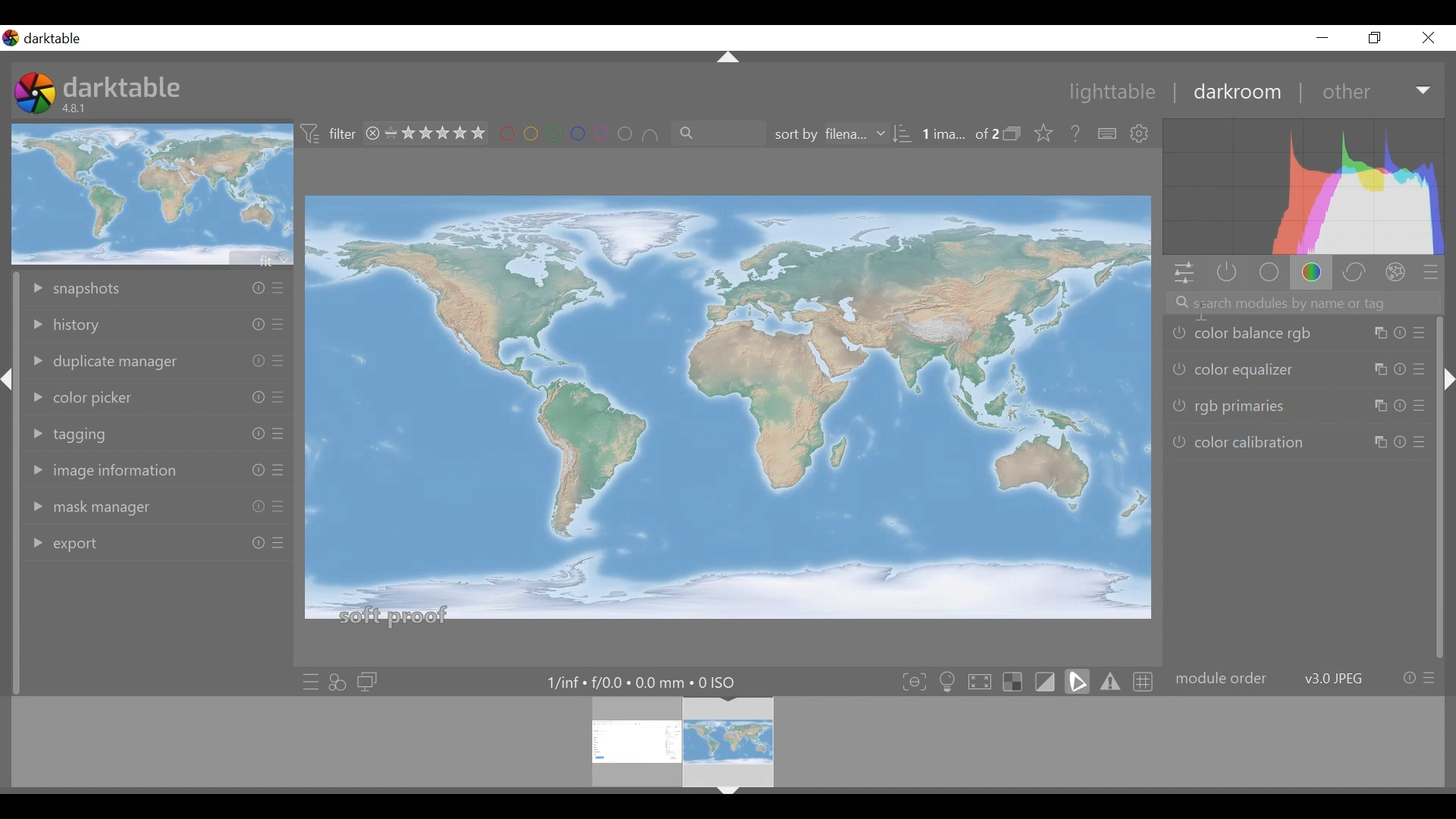 The width and height of the screenshot is (1456, 819). Describe the element at coordinates (253, 507) in the screenshot. I see `` at that location.